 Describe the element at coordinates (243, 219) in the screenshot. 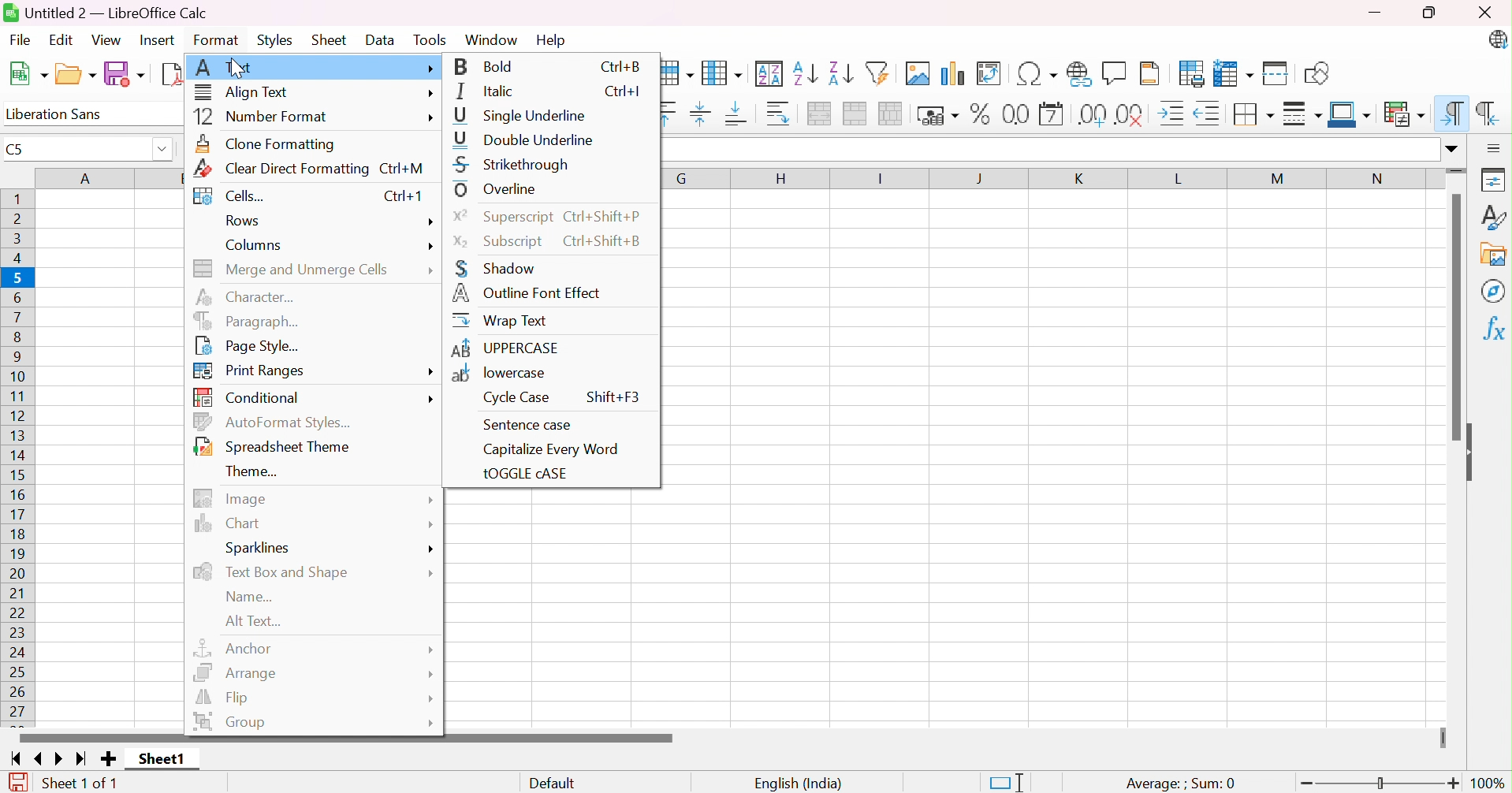

I see `Rows` at that location.